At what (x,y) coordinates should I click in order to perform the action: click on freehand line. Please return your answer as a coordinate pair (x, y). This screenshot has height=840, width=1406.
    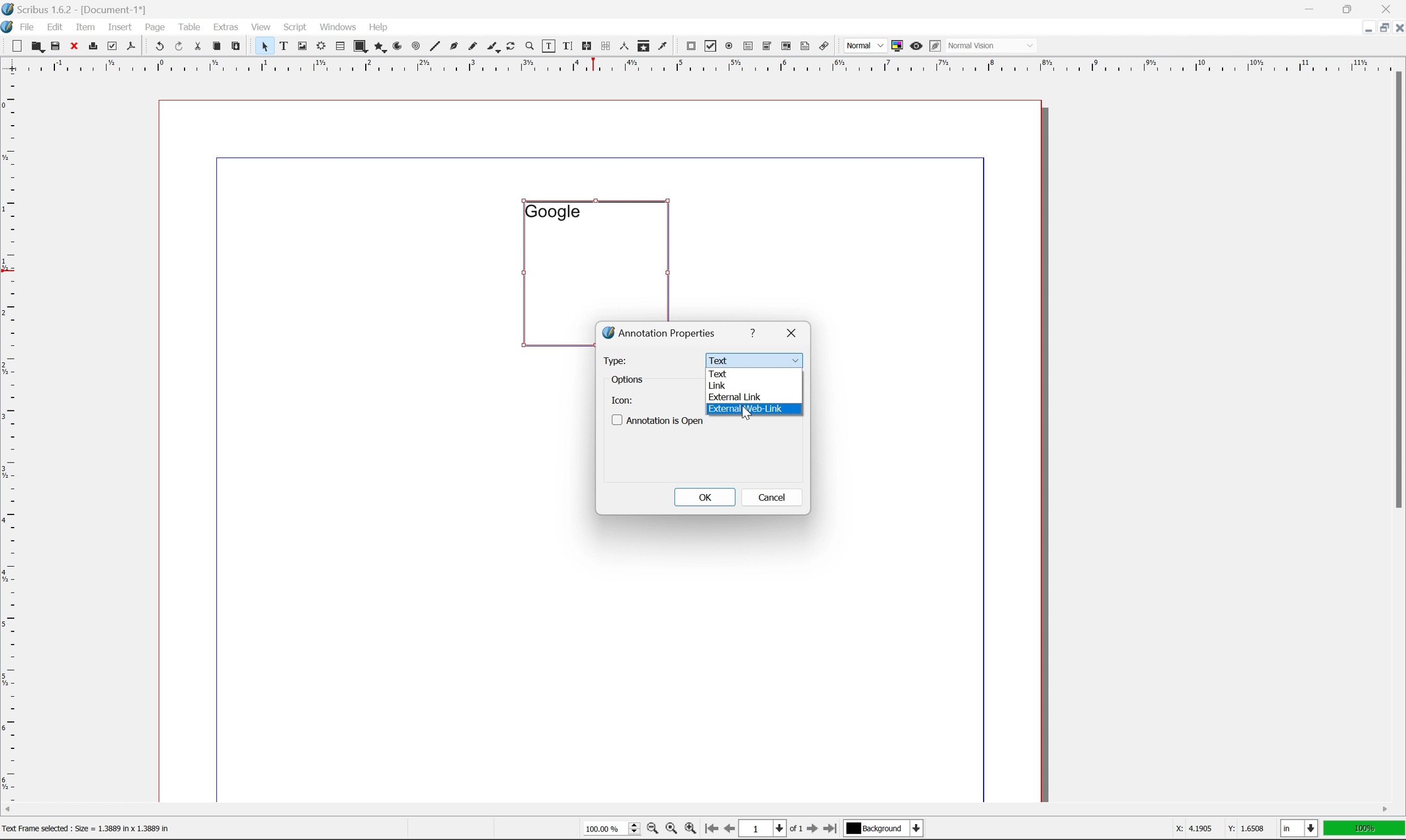
    Looking at the image, I should click on (474, 47).